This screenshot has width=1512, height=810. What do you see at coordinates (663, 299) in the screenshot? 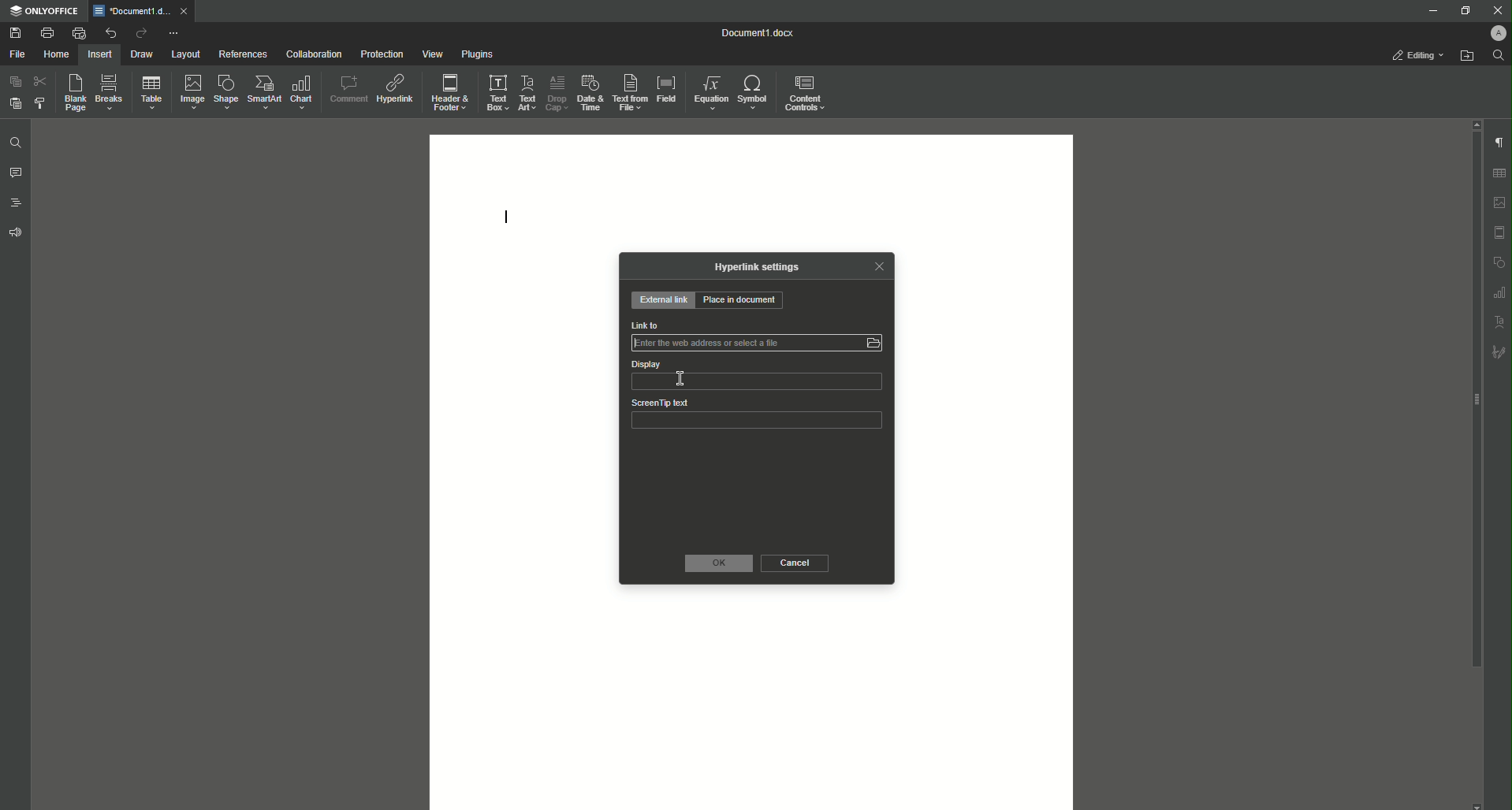
I see `External Link` at bounding box center [663, 299].